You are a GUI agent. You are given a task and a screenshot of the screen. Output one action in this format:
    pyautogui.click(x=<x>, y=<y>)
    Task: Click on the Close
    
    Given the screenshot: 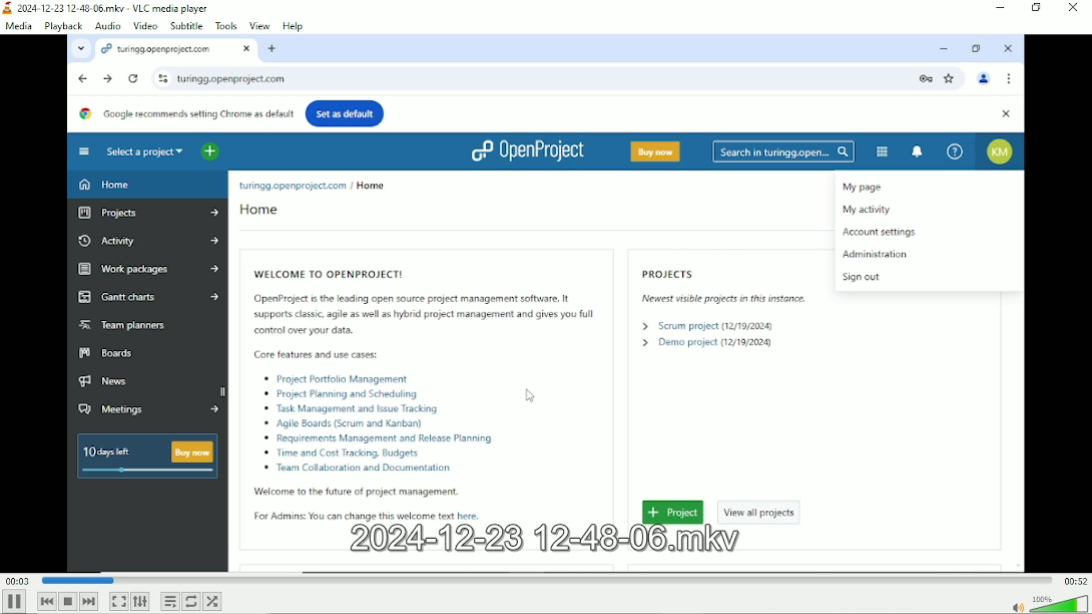 What is the action you would take?
    pyautogui.click(x=1072, y=7)
    